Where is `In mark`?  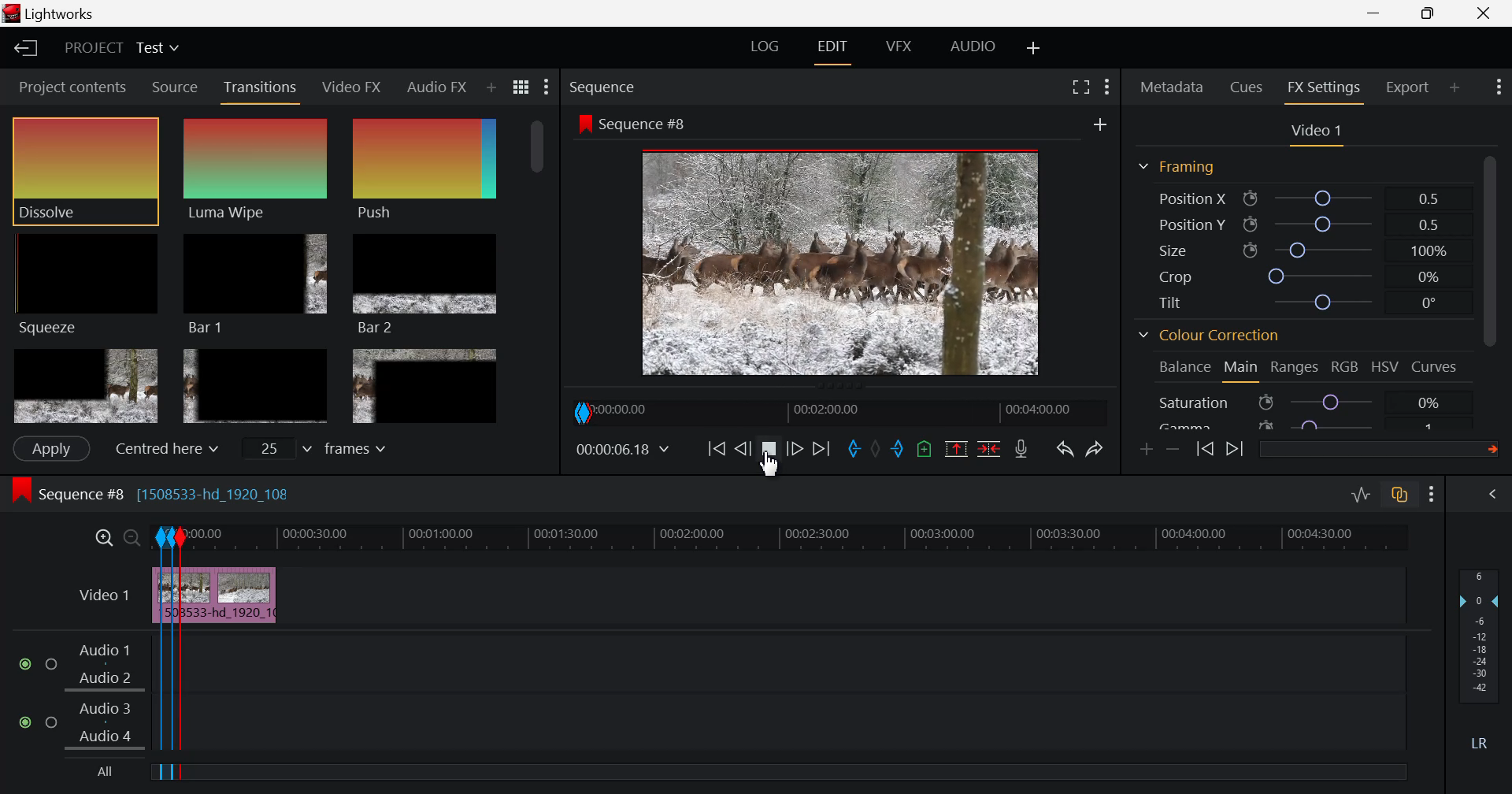 In mark is located at coordinates (851, 450).